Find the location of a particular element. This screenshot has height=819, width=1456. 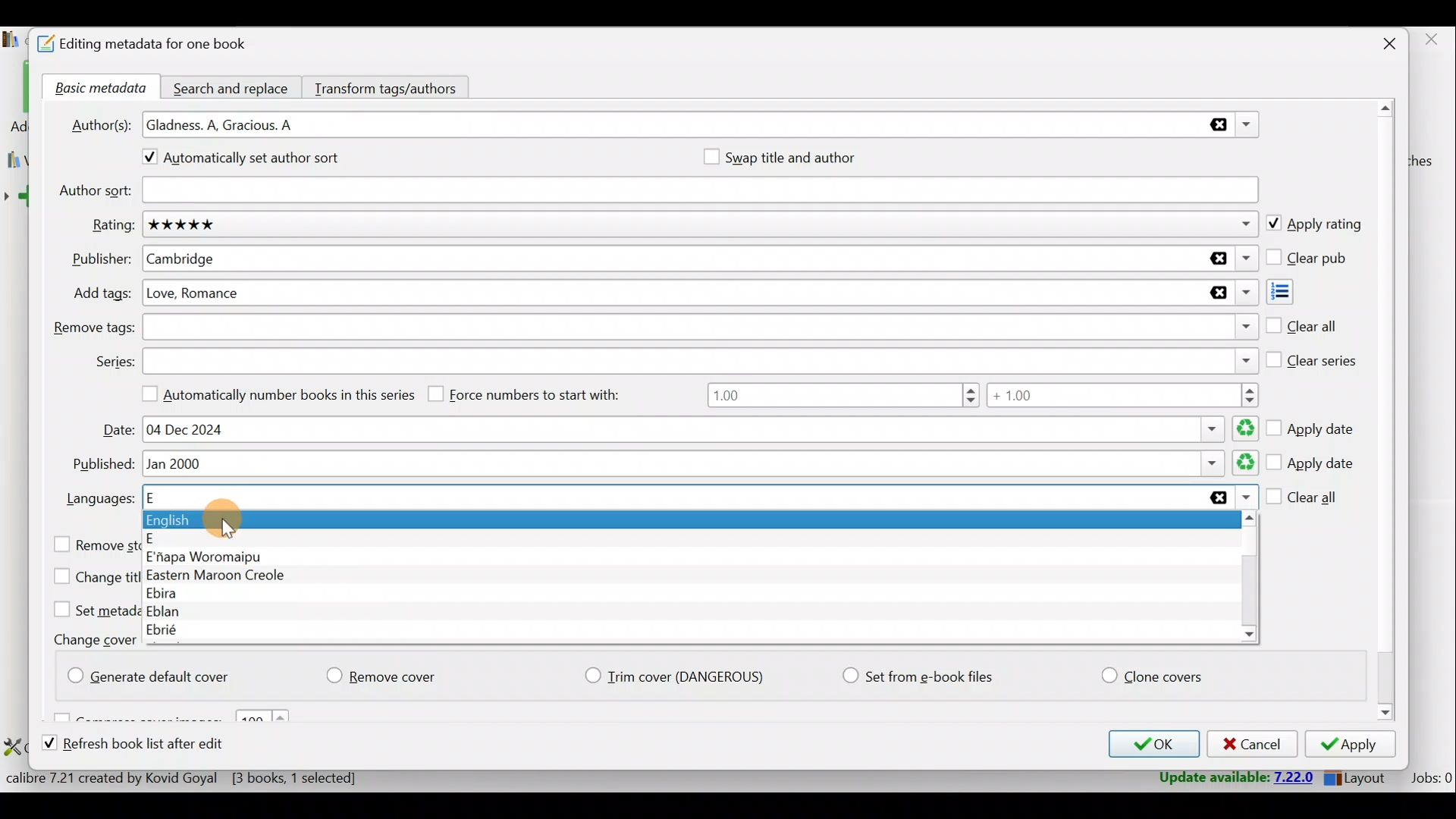

Clone covers is located at coordinates (1149, 673).